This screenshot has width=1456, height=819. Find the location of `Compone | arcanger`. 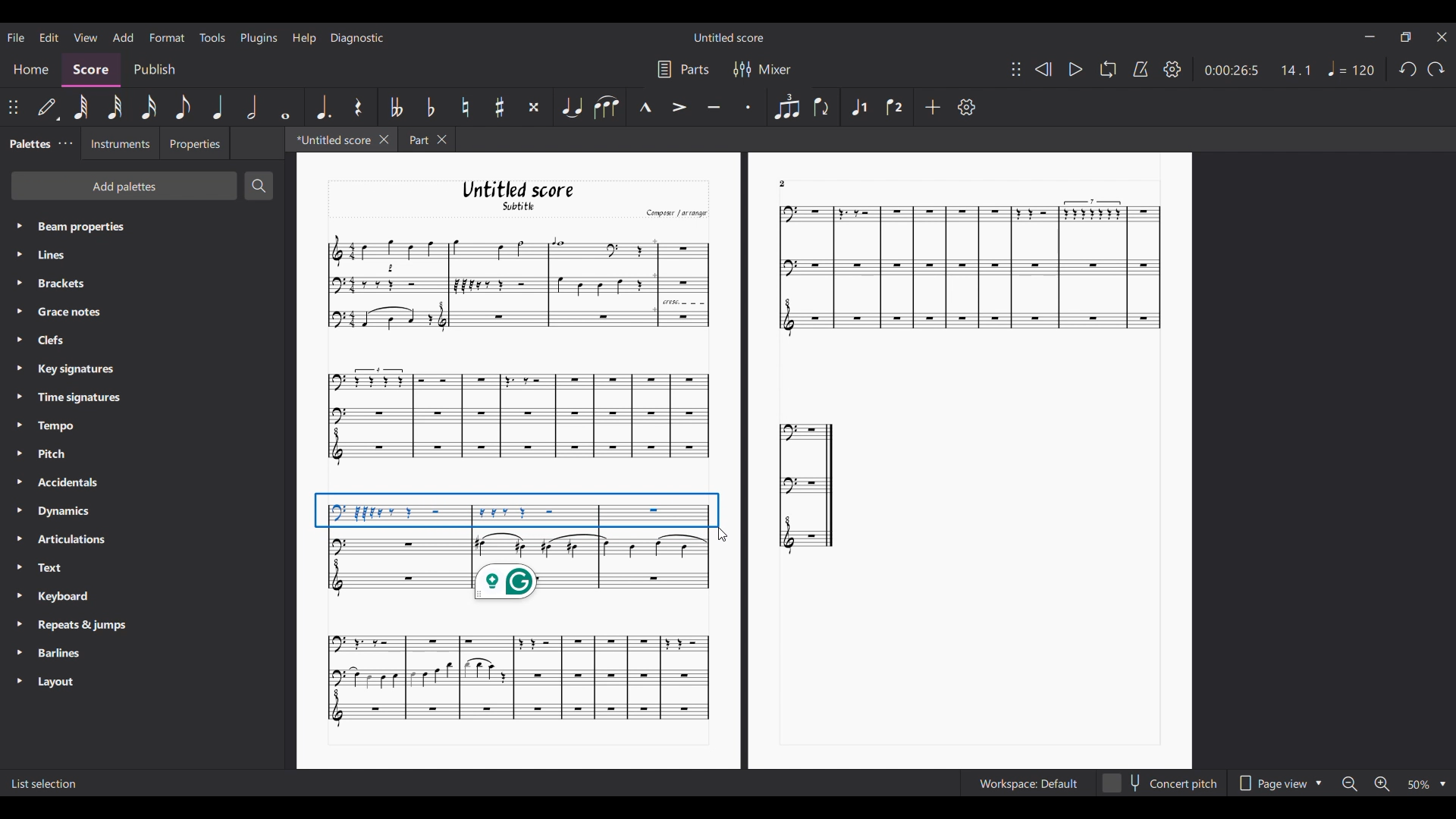

Compone | arcanger is located at coordinates (676, 215).